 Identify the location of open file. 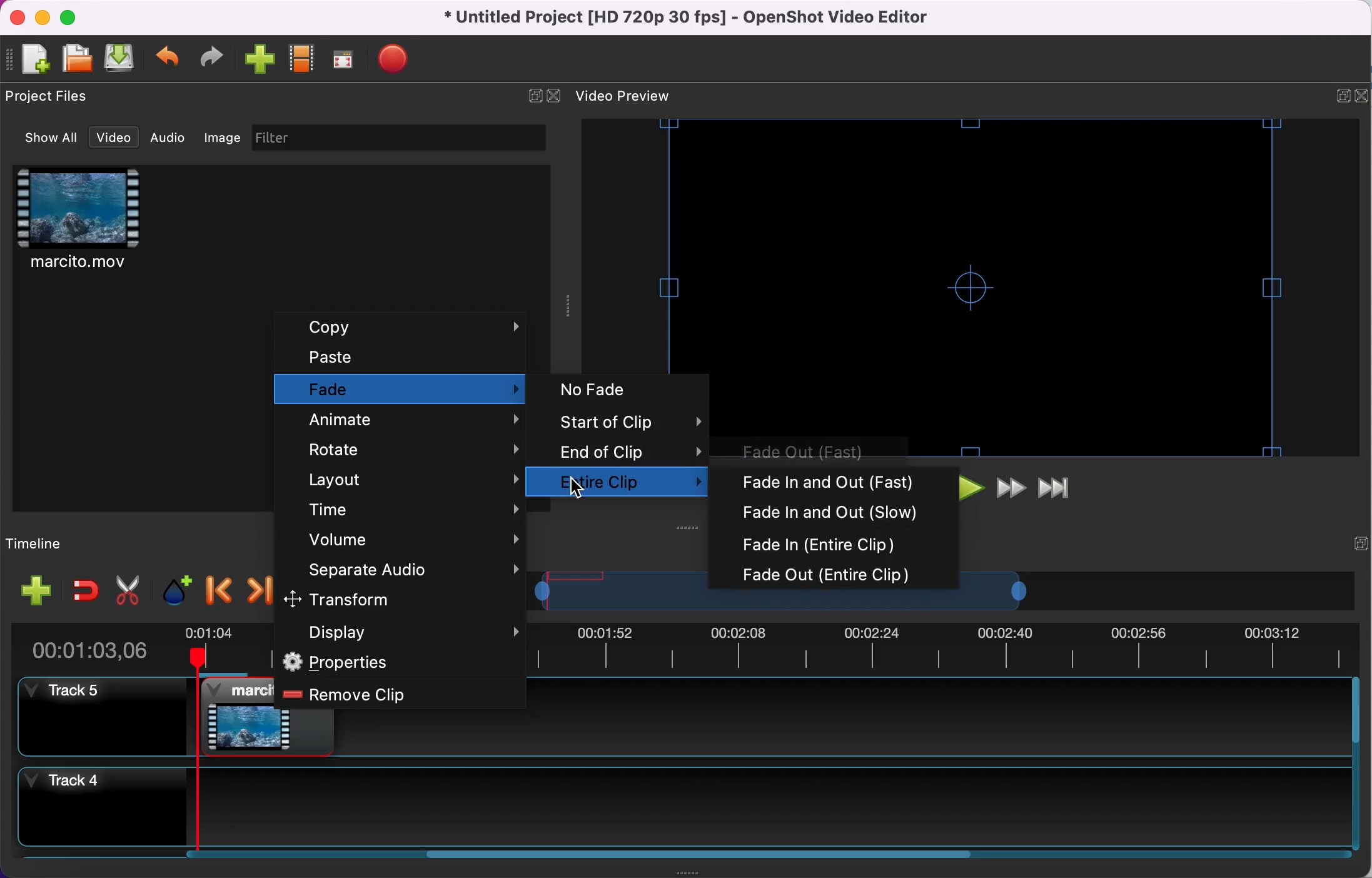
(74, 59).